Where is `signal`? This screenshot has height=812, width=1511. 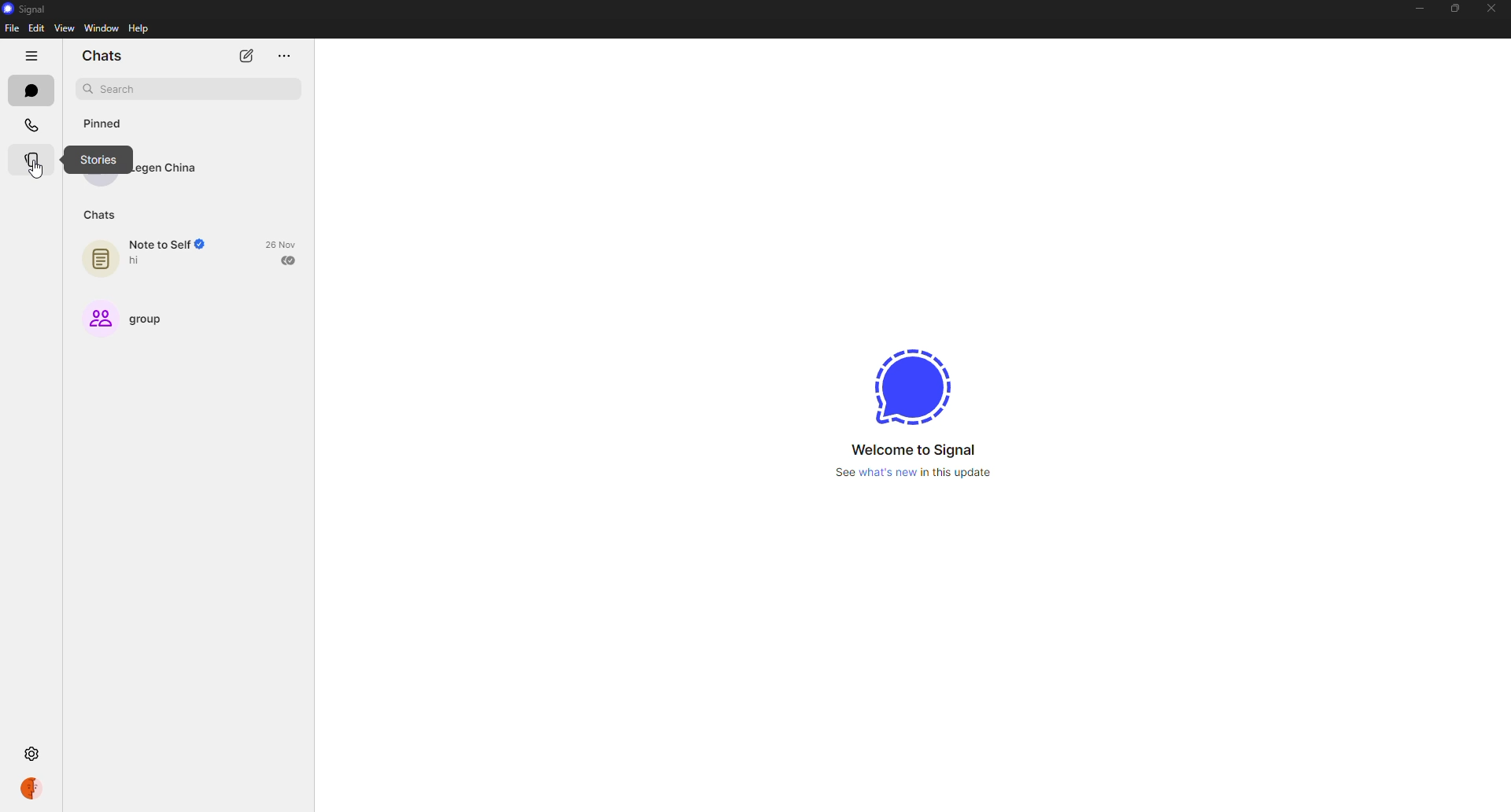
signal is located at coordinates (910, 387).